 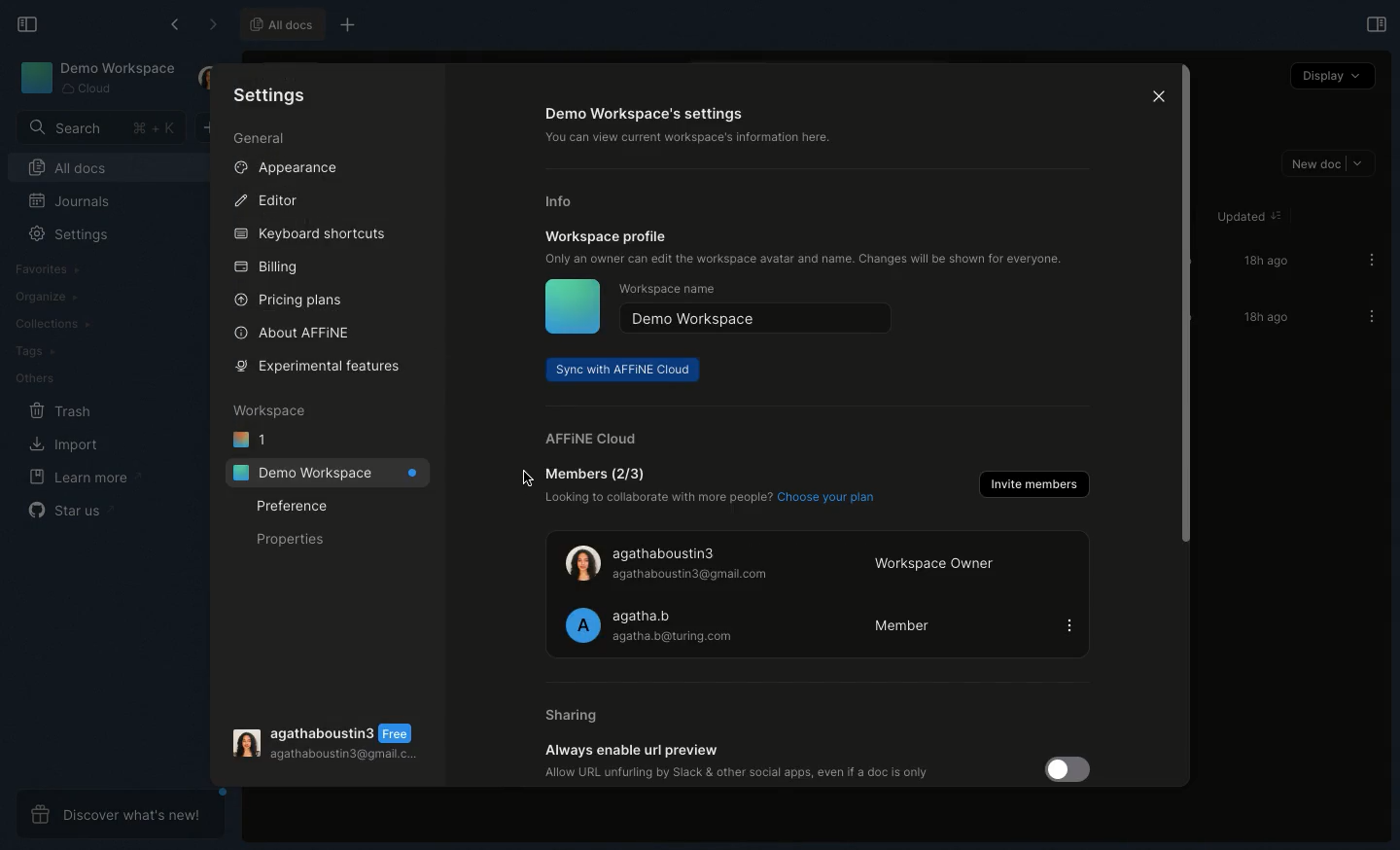 I want to click on All docs, so click(x=282, y=23).